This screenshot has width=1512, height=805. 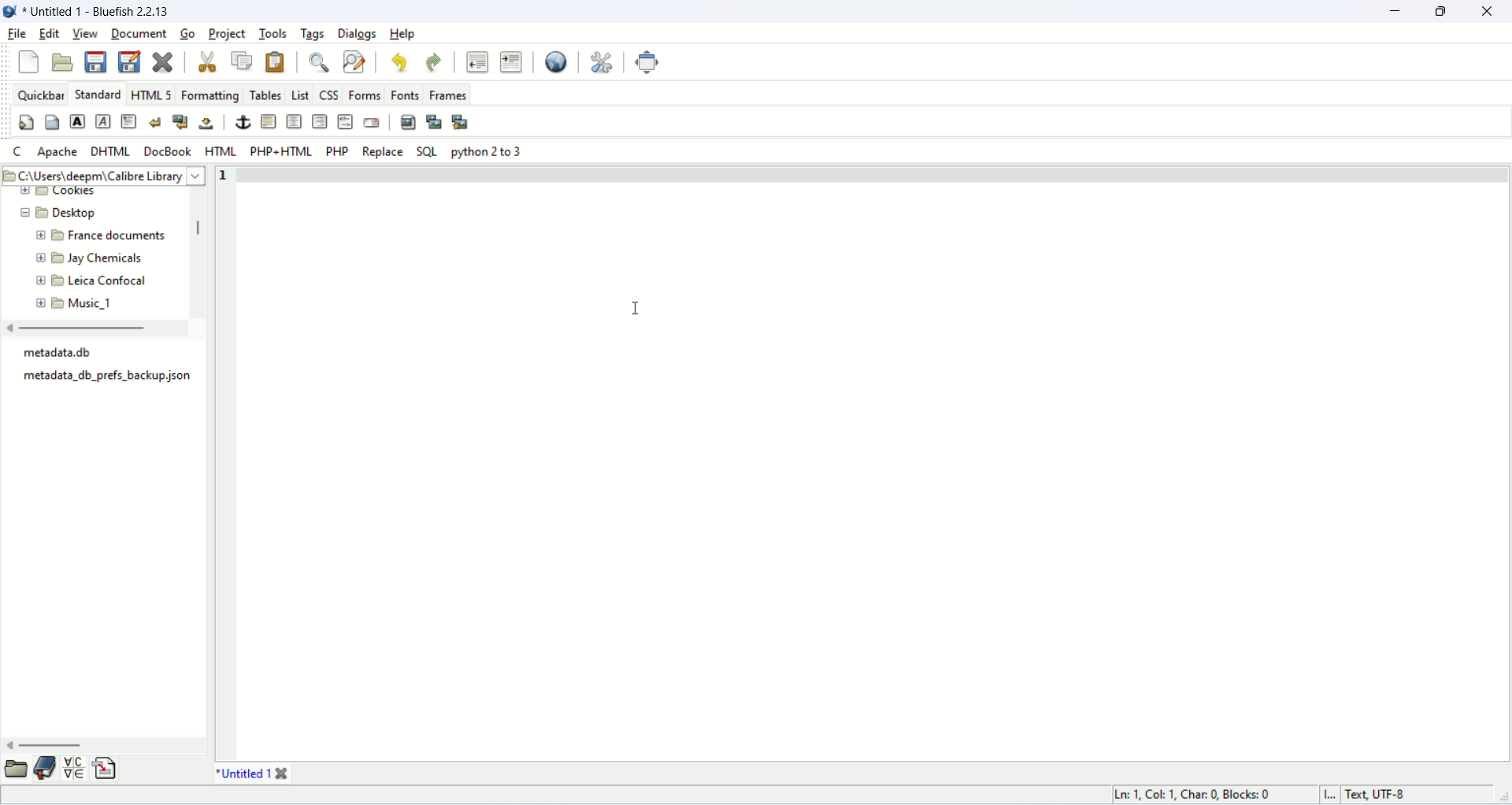 What do you see at coordinates (9, 9) in the screenshot?
I see `application icon` at bounding box center [9, 9].